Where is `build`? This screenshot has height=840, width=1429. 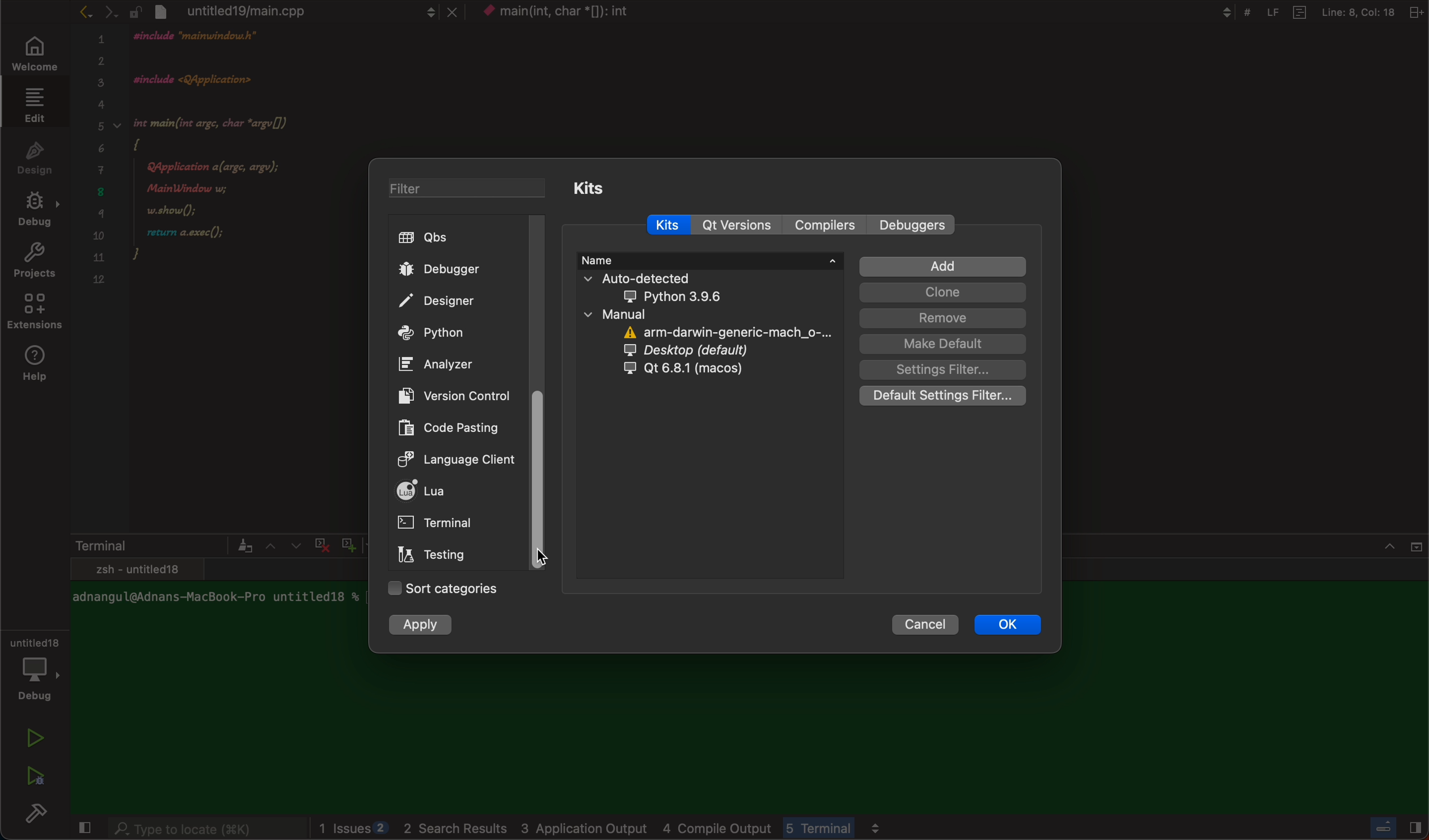
build is located at coordinates (40, 816).